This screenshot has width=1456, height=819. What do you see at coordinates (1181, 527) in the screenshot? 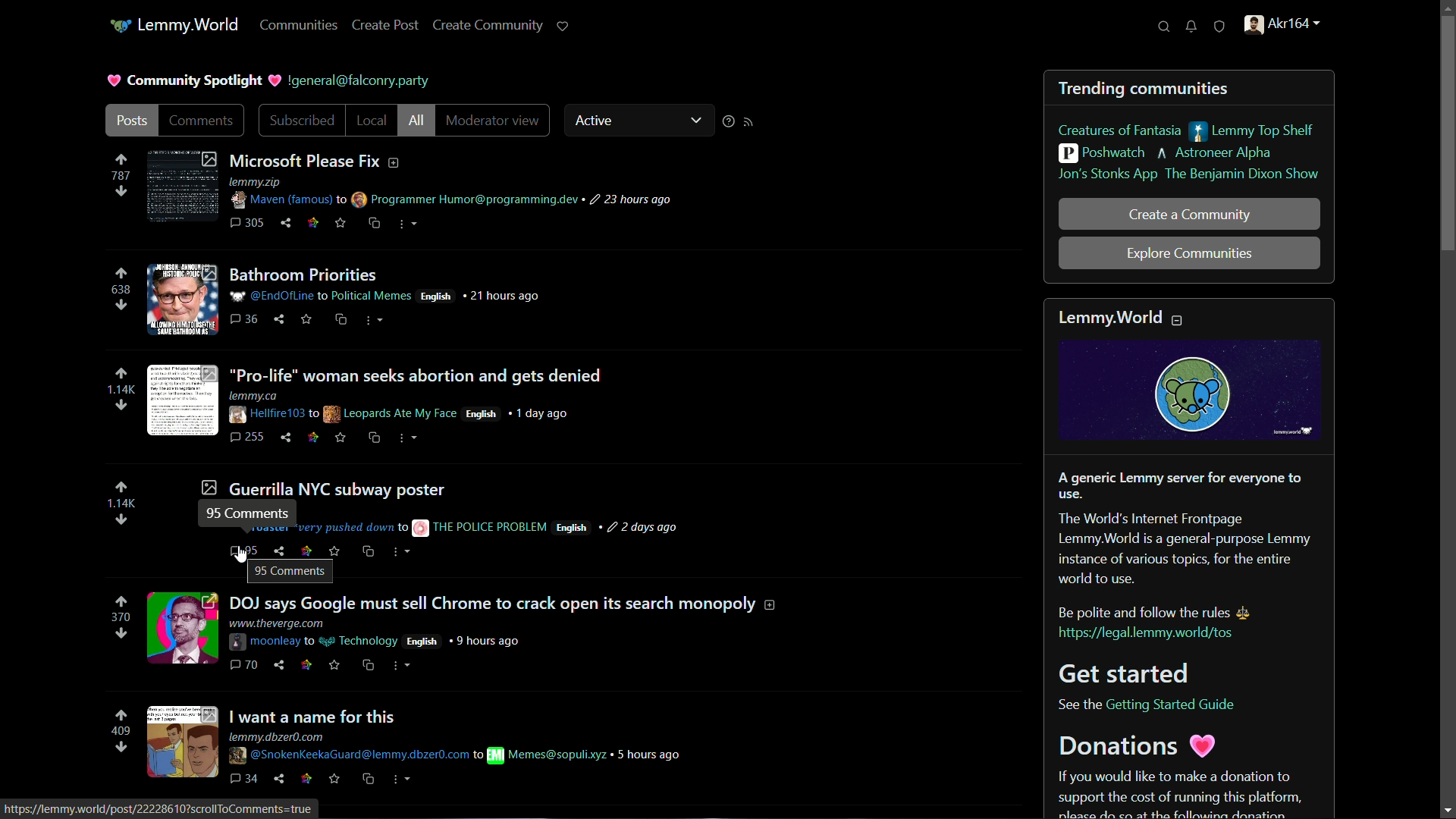
I see `text` at bounding box center [1181, 527].